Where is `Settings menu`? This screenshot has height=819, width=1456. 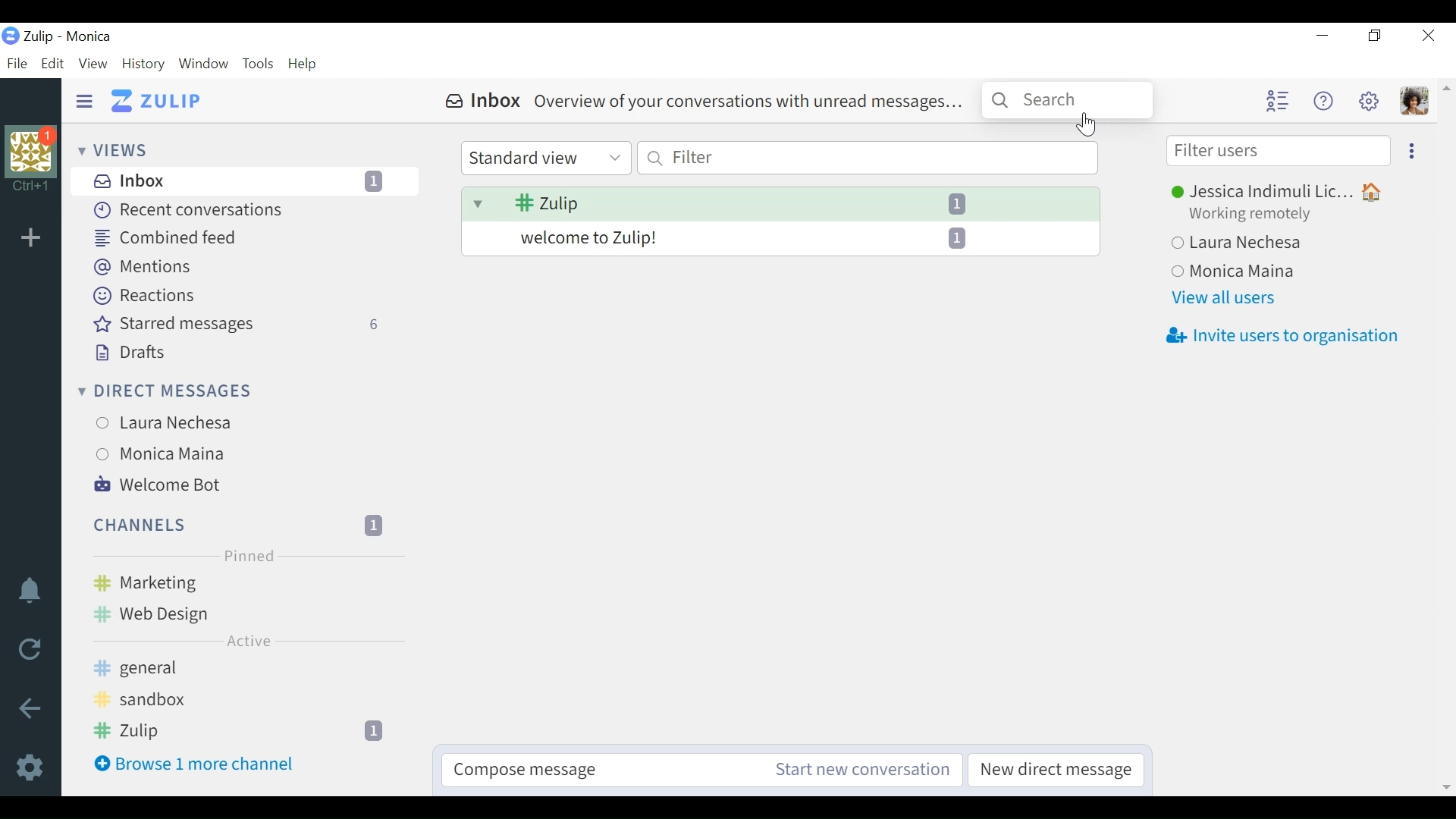 Settings menu is located at coordinates (1370, 100).